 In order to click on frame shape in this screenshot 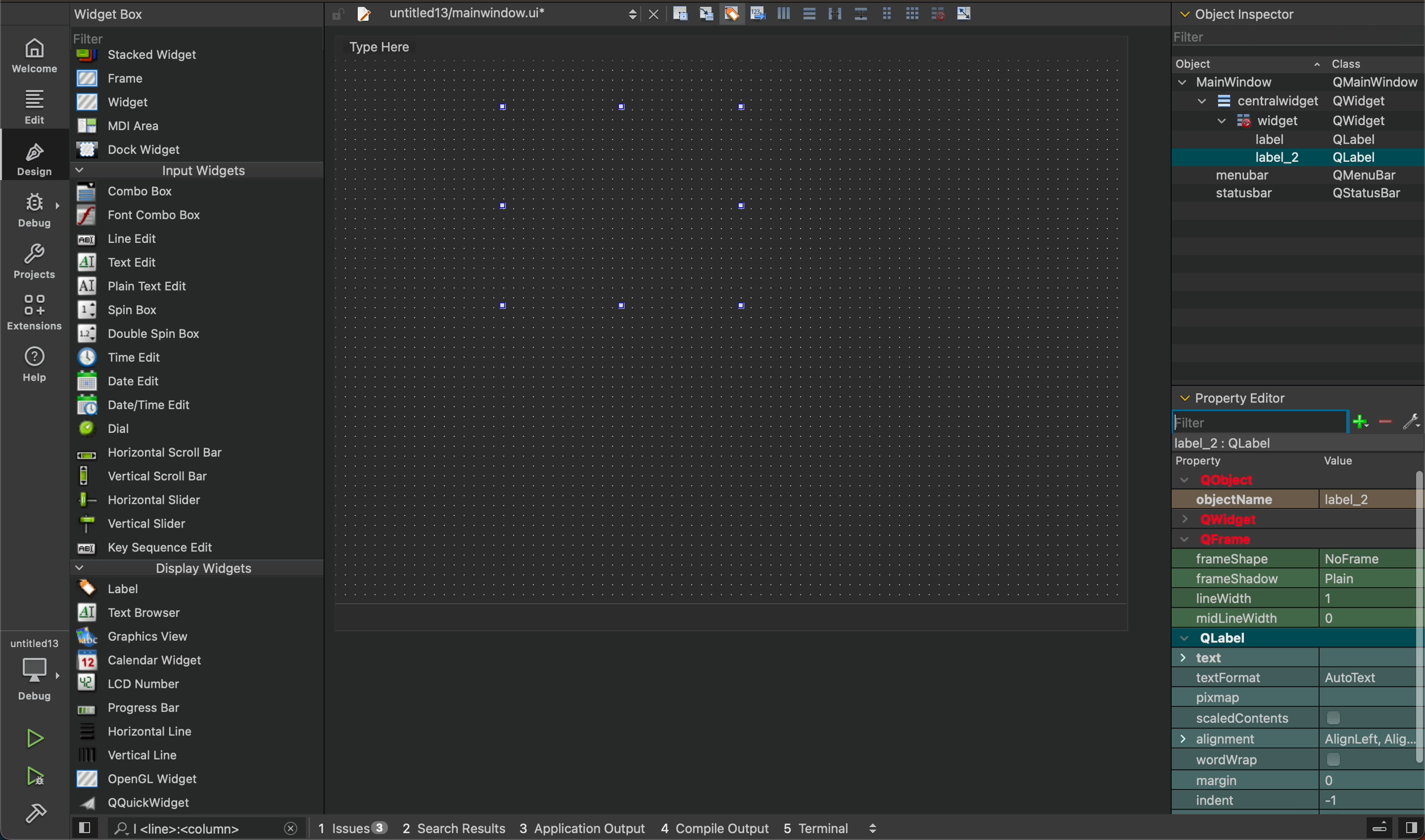, I will do `click(1296, 559)`.